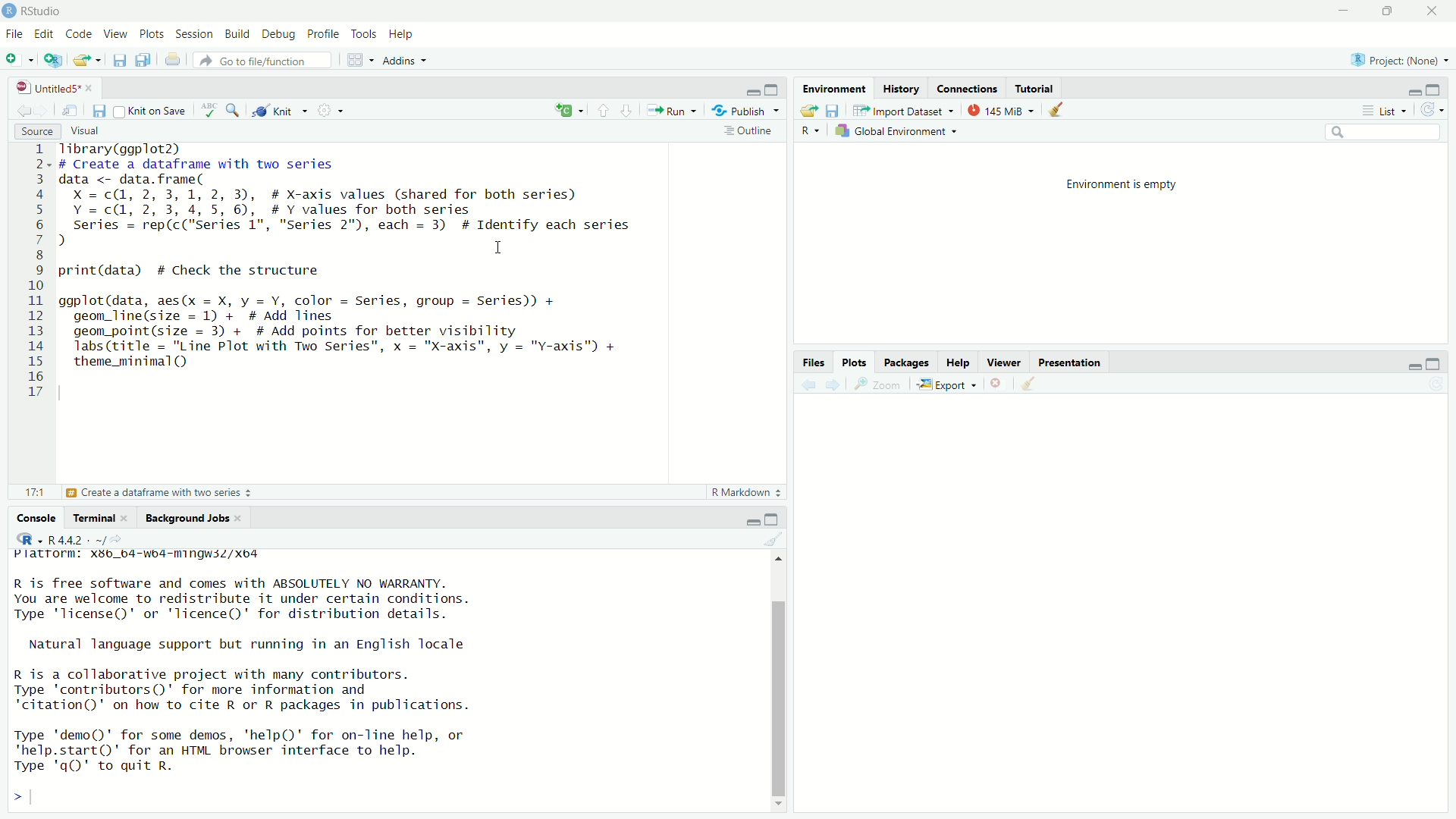  I want to click on Visual, so click(90, 131).